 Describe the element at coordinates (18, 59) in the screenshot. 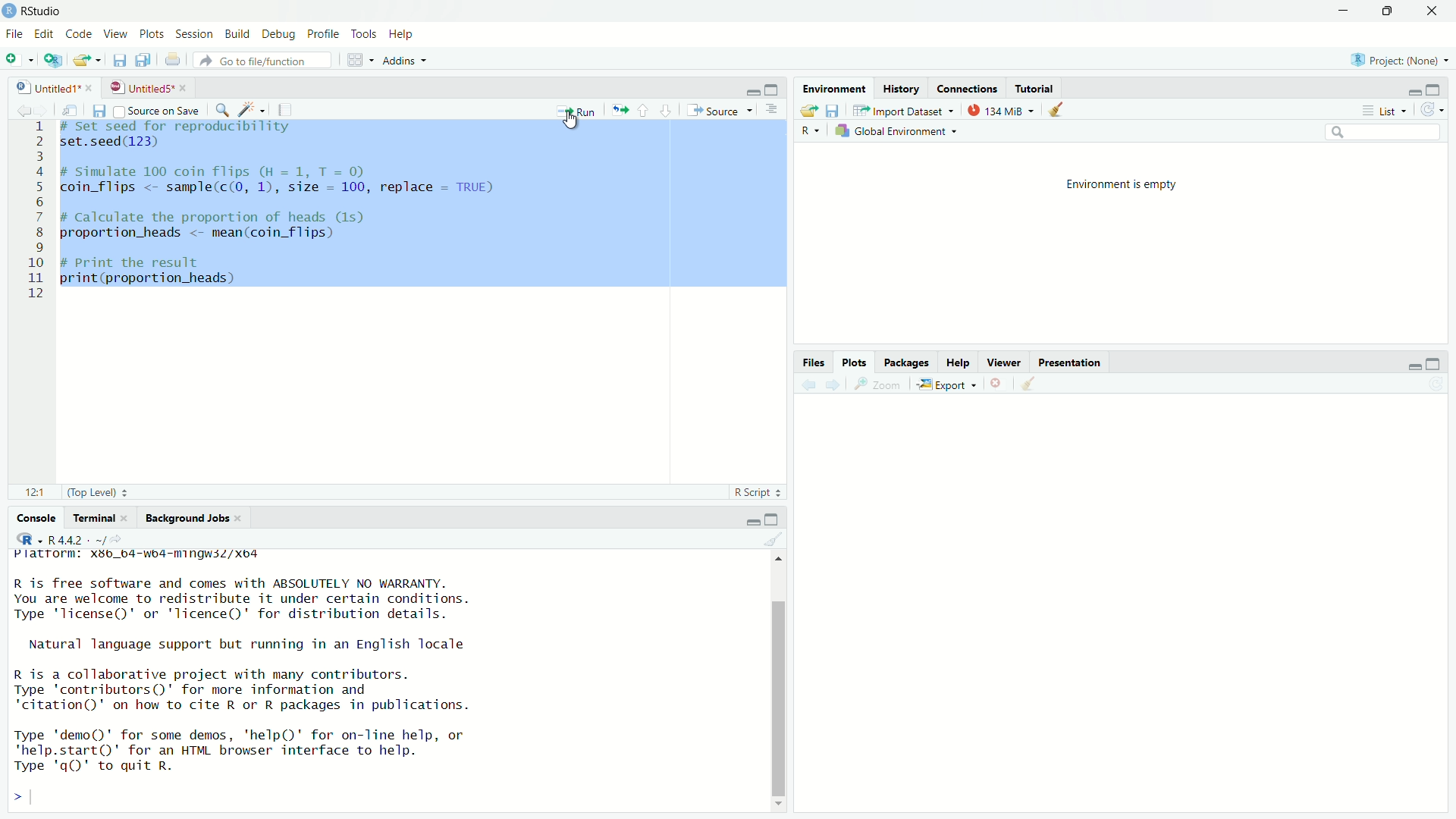

I see `new file` at that location.